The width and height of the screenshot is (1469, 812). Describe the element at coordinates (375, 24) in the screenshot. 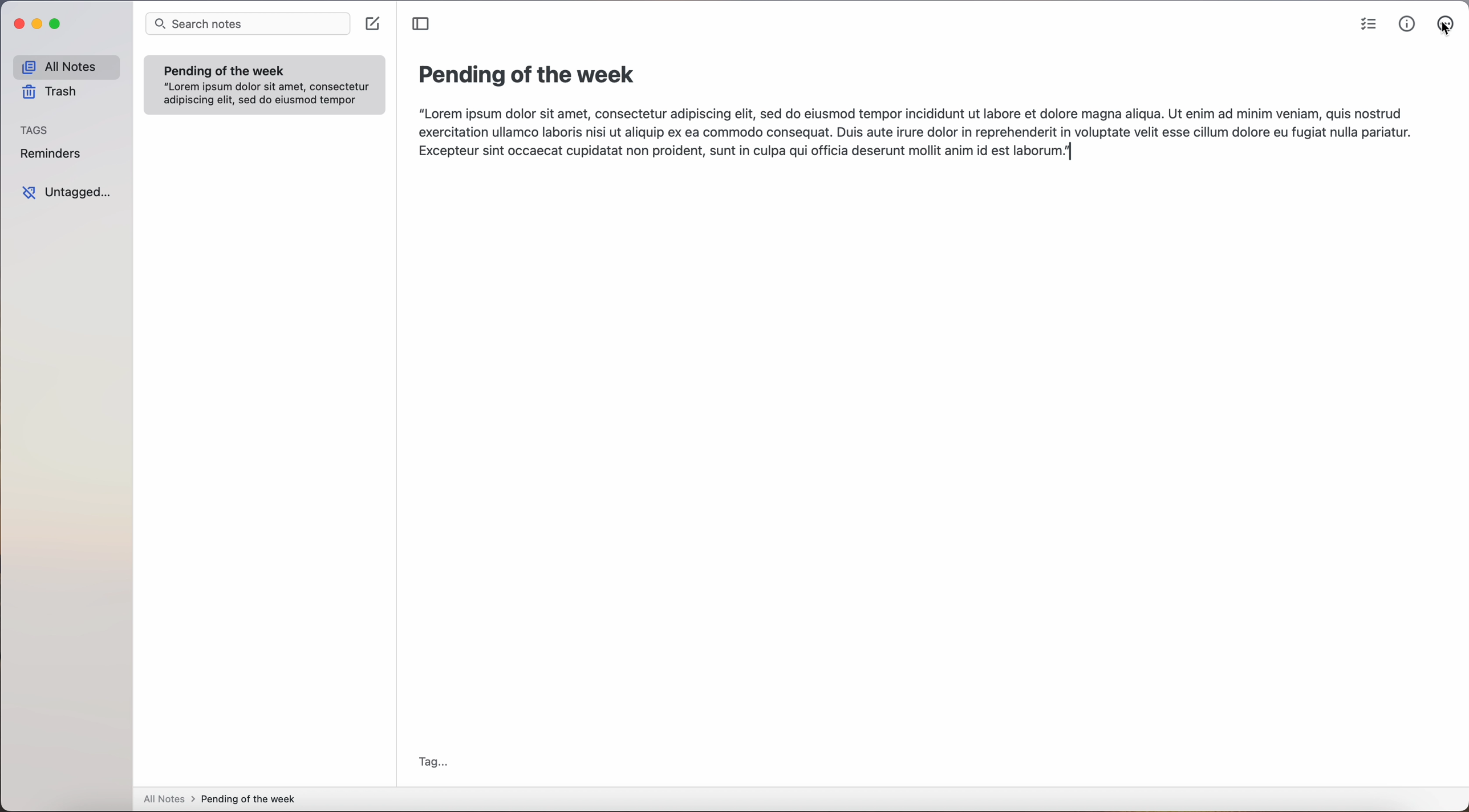

I see `create note` at that location.